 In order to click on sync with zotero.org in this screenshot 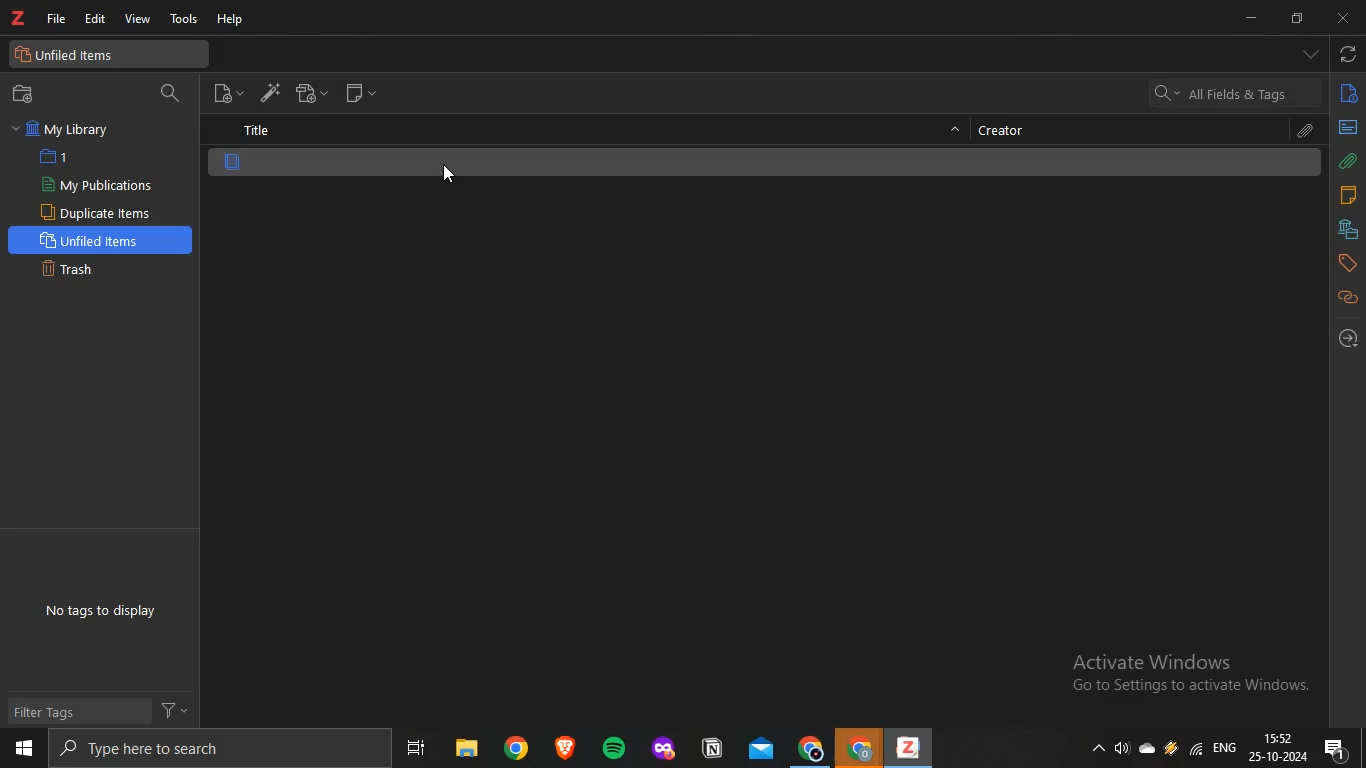, I will do `click(1349, 52)`.